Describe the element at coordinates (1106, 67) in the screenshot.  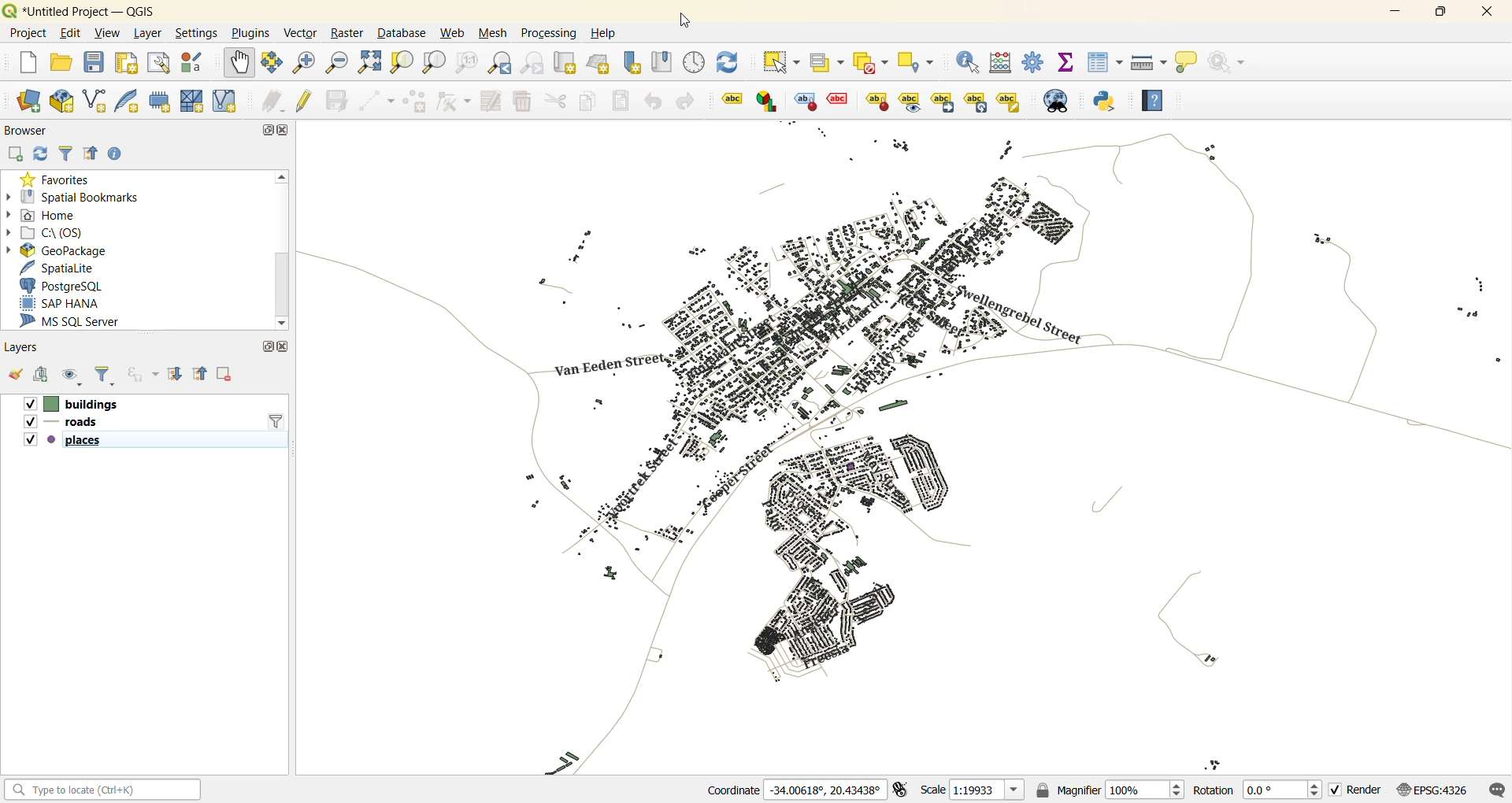
I see `attributes table` at that location.